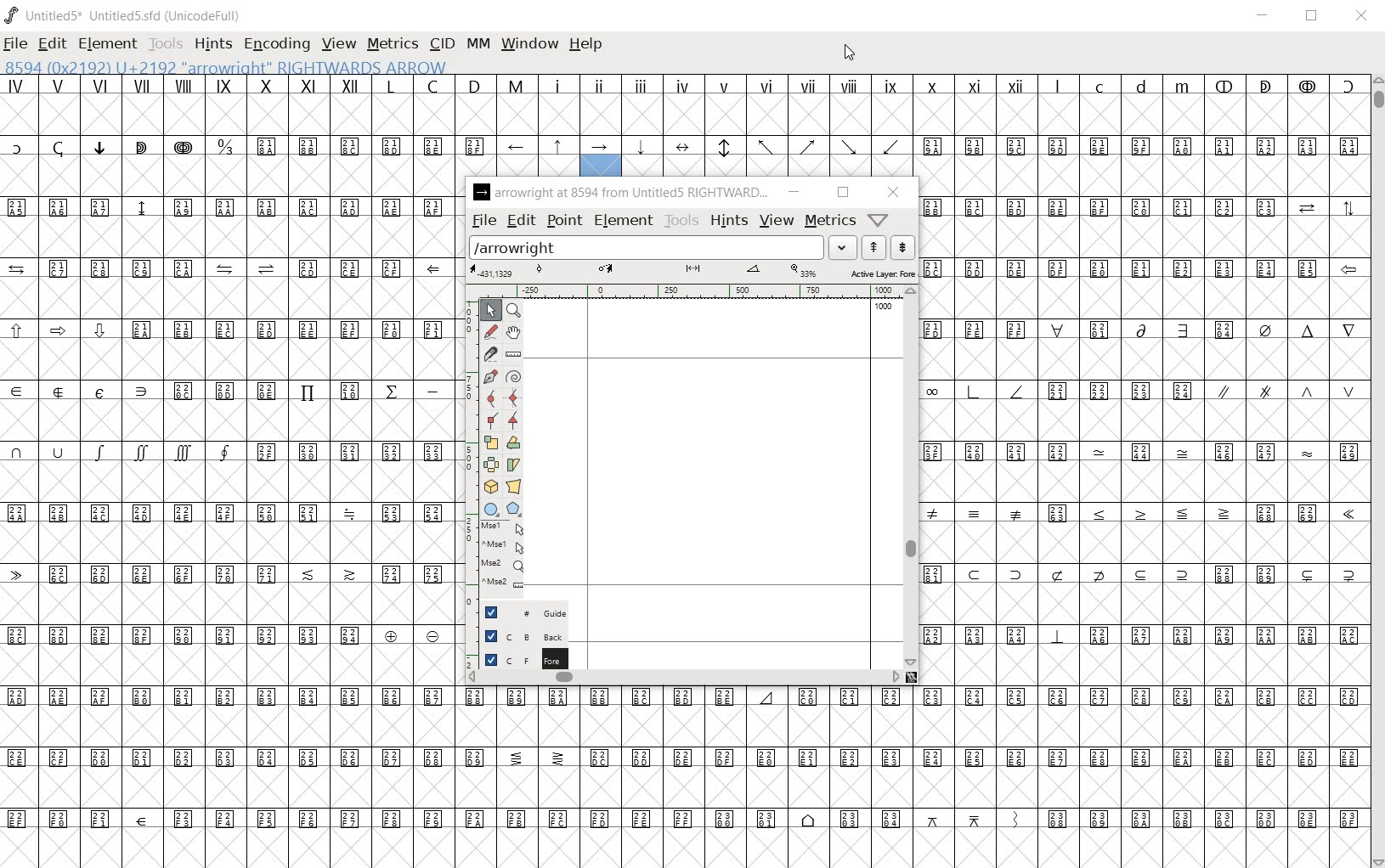  I want to click on close, so click(894, 194).